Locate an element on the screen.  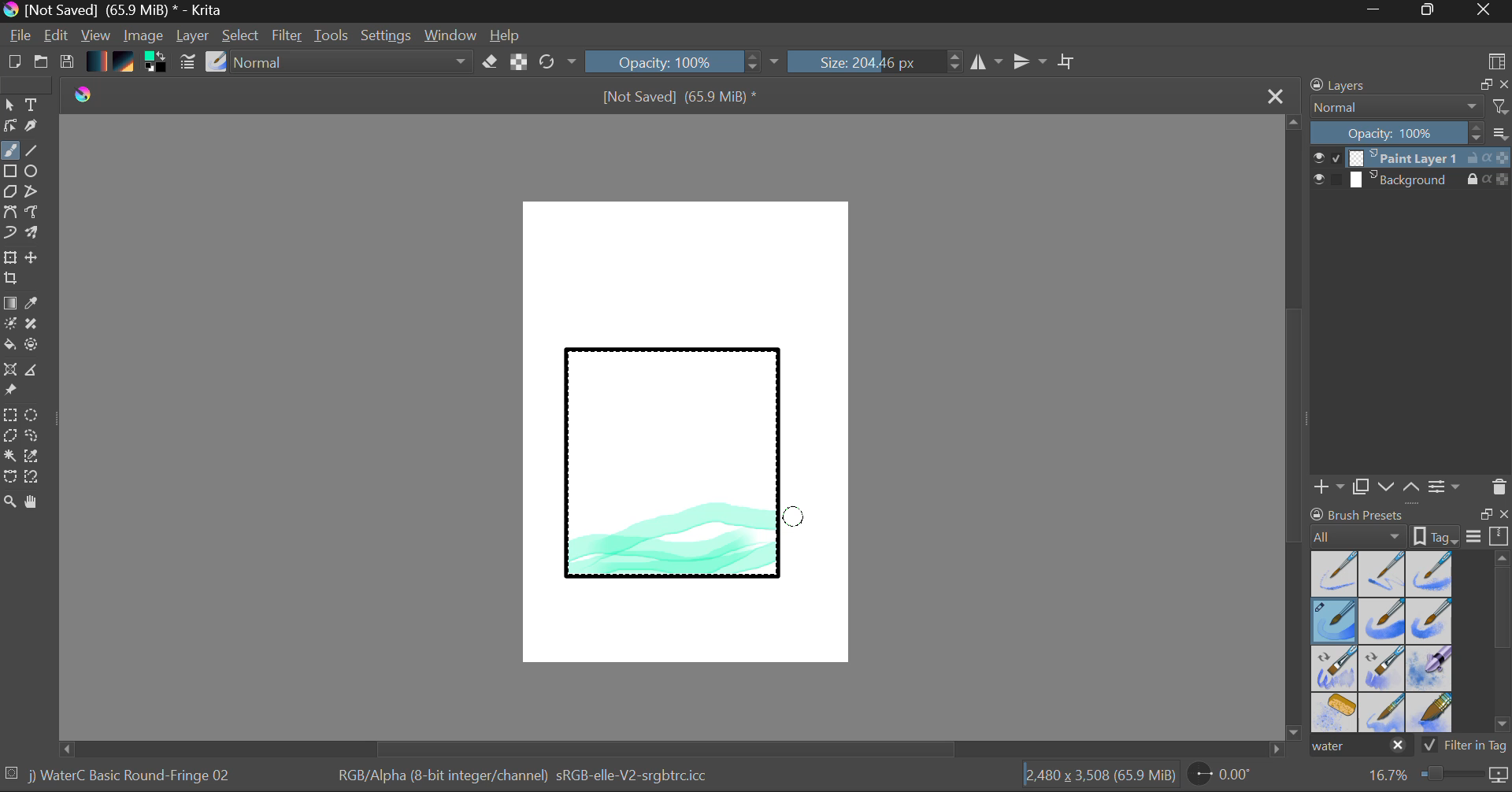
File Name & Size is located at coordinates (680, 98).